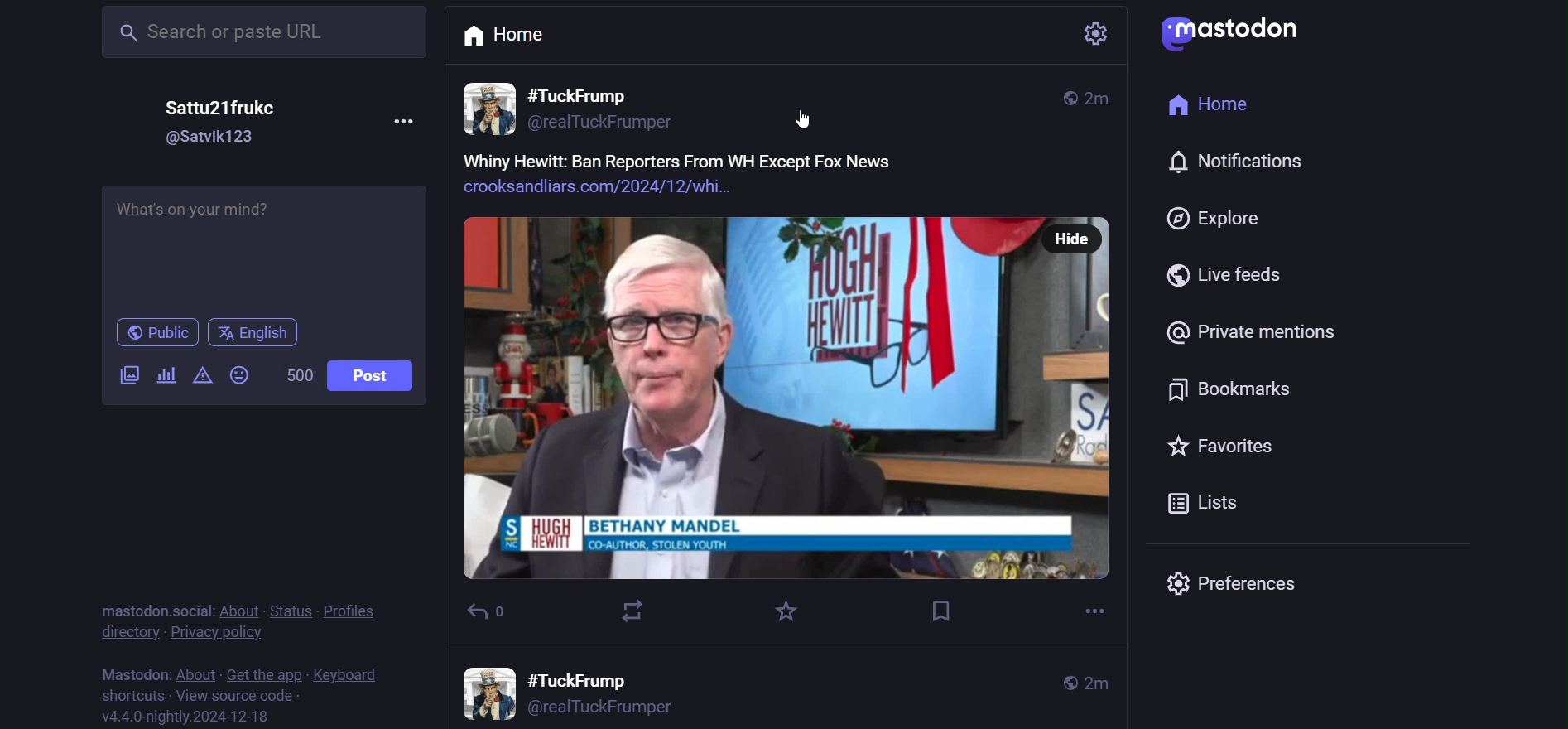 The height and width of the screenshot is (729, 1568). I want to click on private mention, so click(1261, 335).